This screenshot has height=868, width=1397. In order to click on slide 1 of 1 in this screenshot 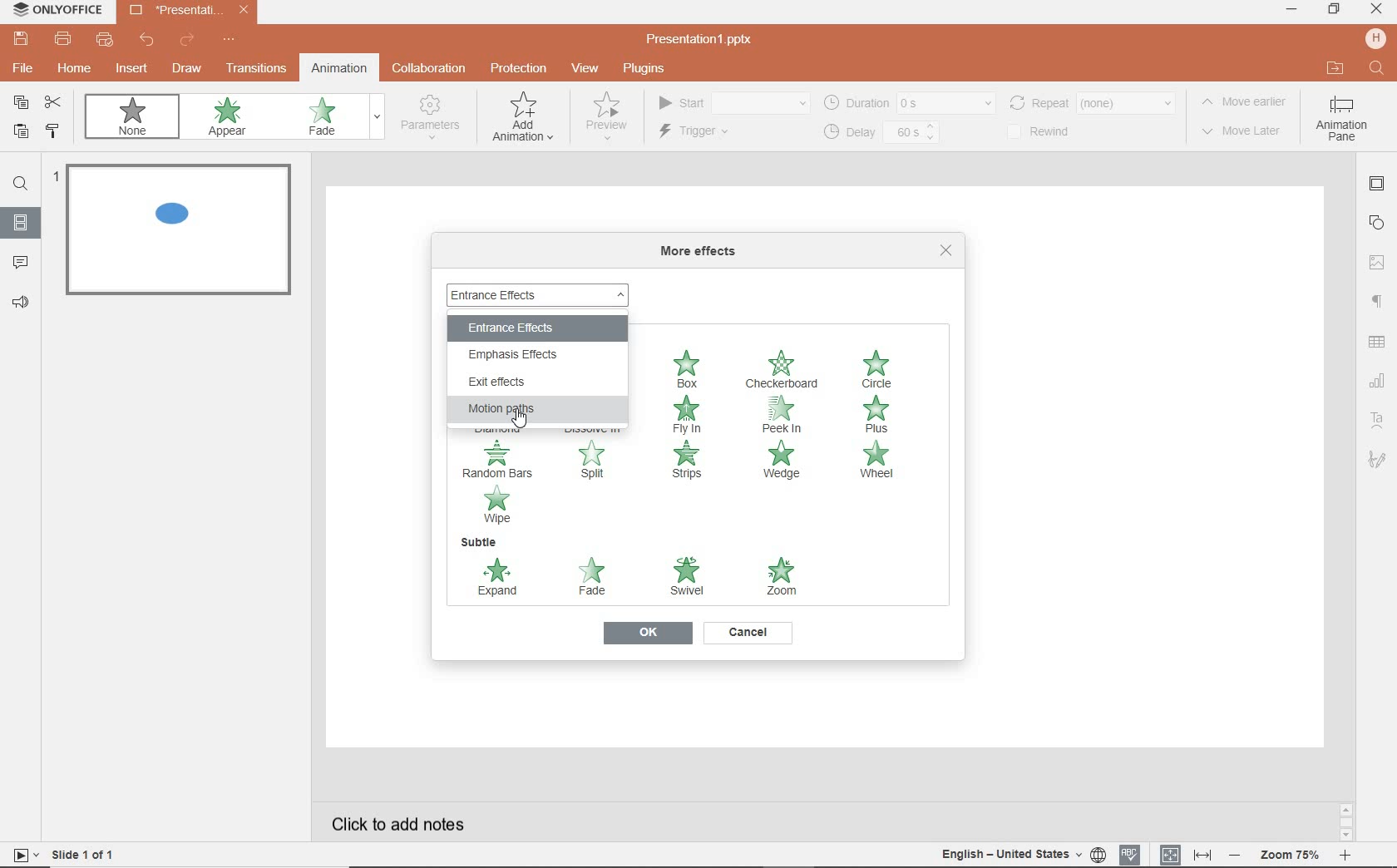, I will do `click(87, 857)`.